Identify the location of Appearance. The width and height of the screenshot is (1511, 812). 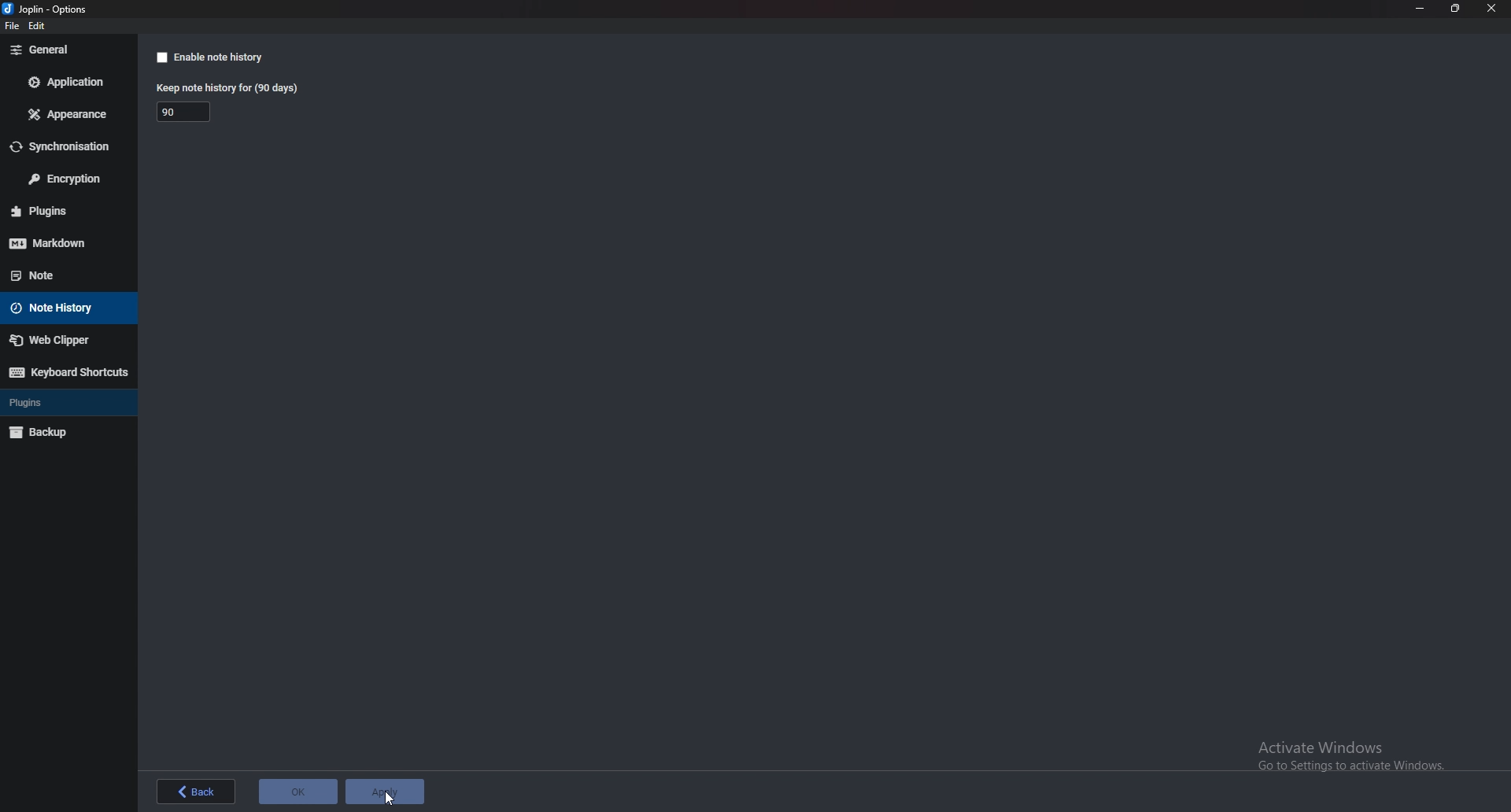
(70, 114).